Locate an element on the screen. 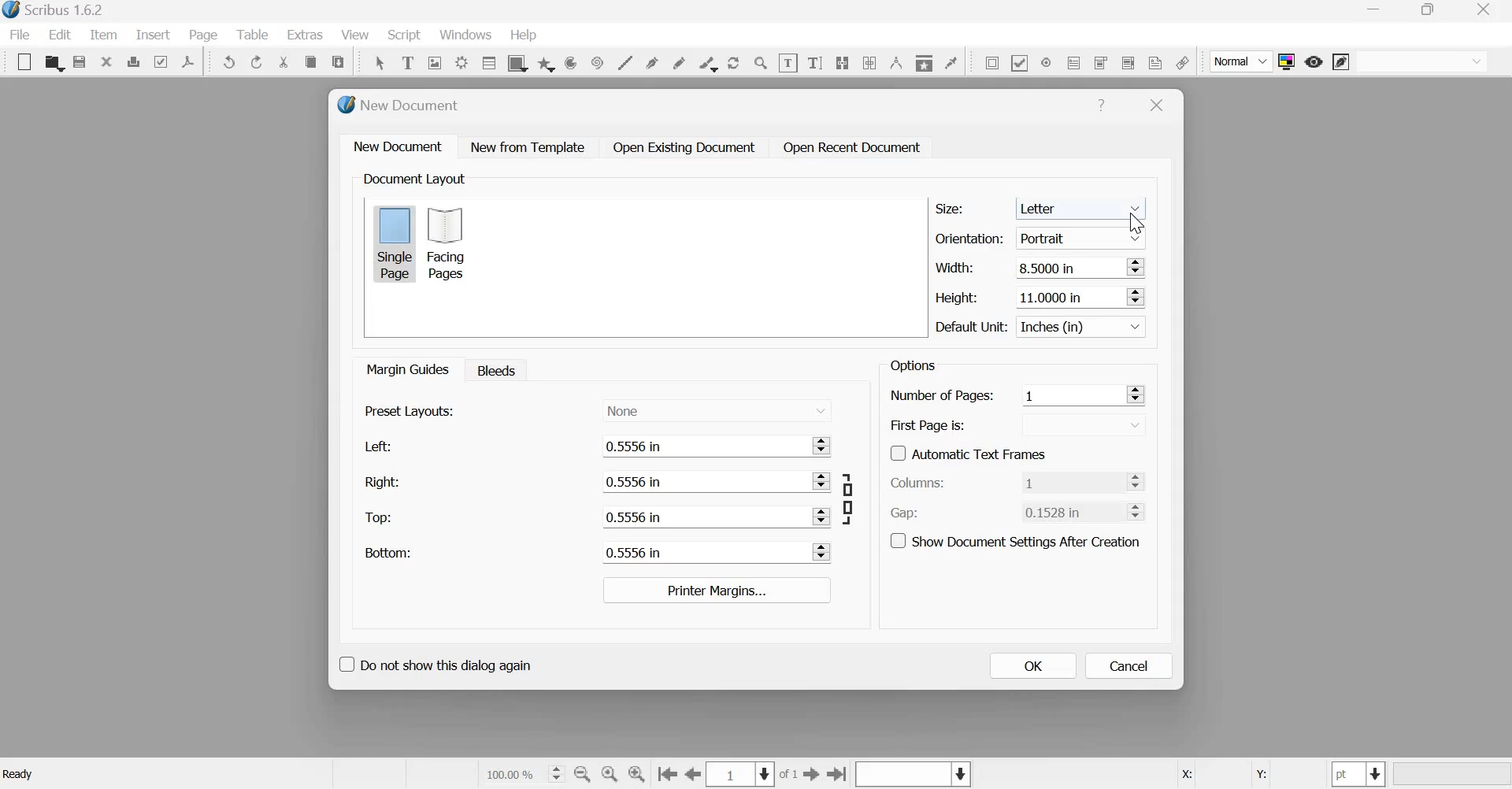 This screenshot has height=789, width=1512. Copy item properties is located at coordinates (923, 61).